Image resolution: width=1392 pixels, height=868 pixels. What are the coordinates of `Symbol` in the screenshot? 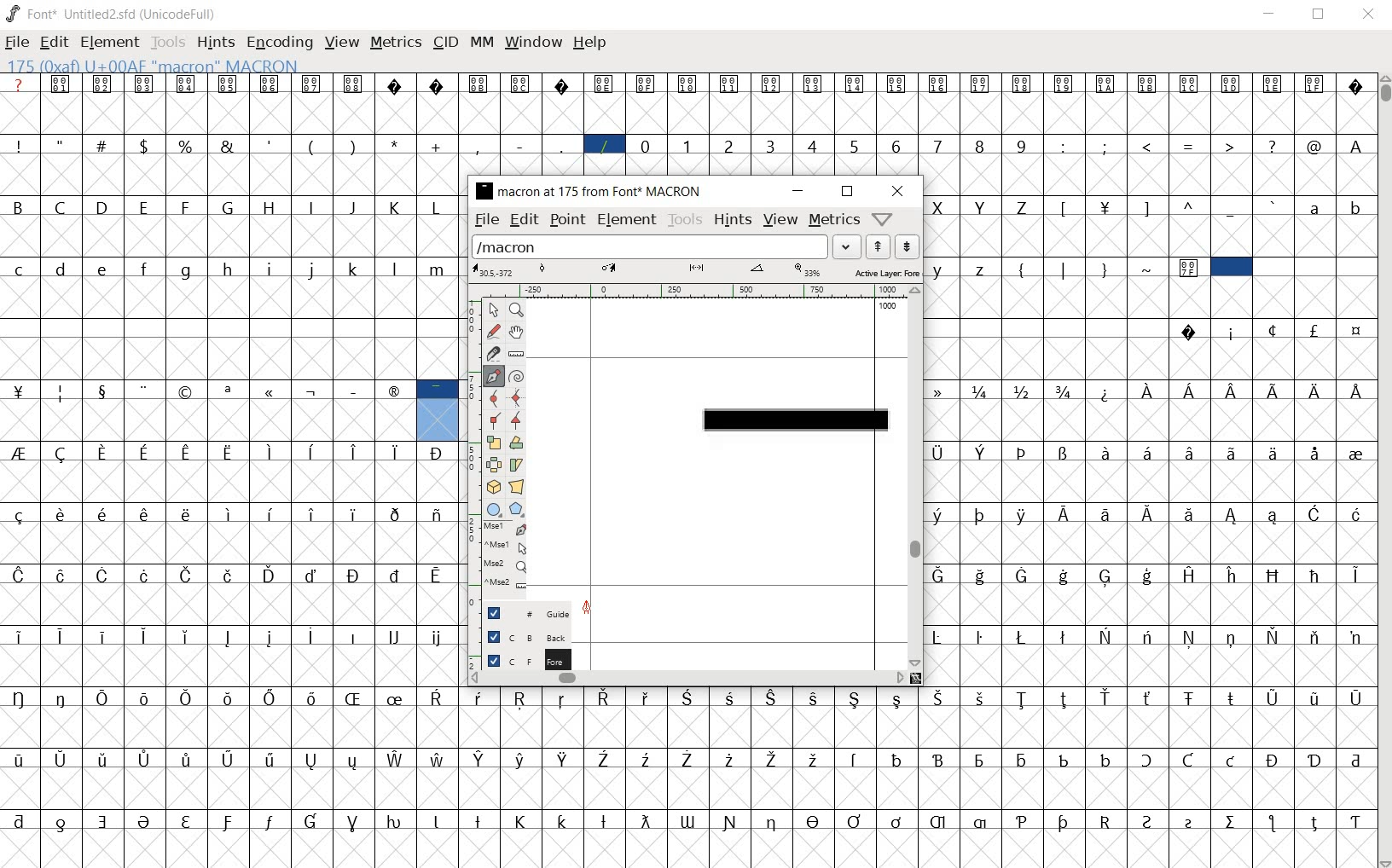 It's located at (1192, 333).